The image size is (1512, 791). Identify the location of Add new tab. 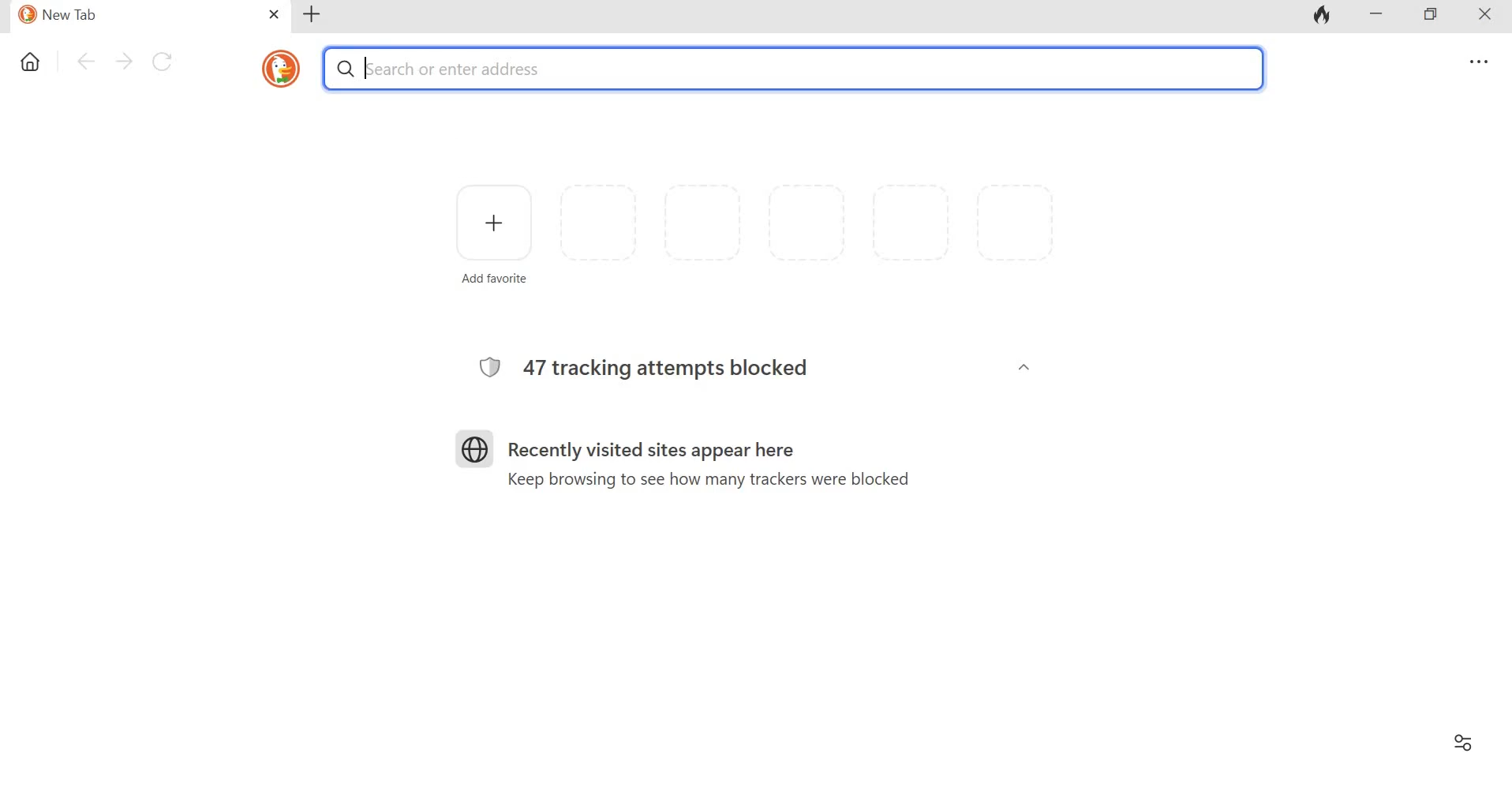
(313, 15).